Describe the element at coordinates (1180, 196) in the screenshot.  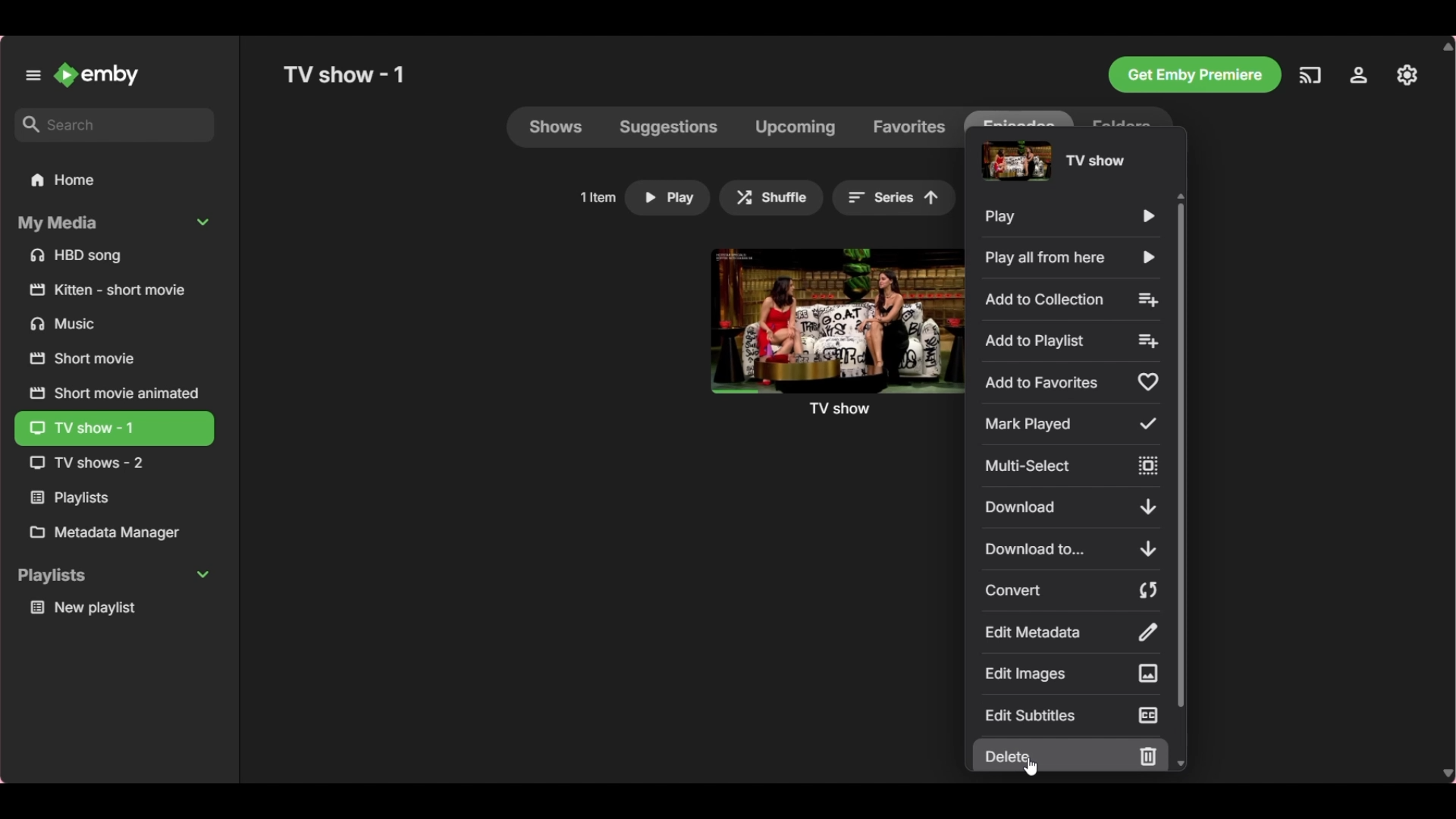
I see `Quick slide to top for settings` at that location.